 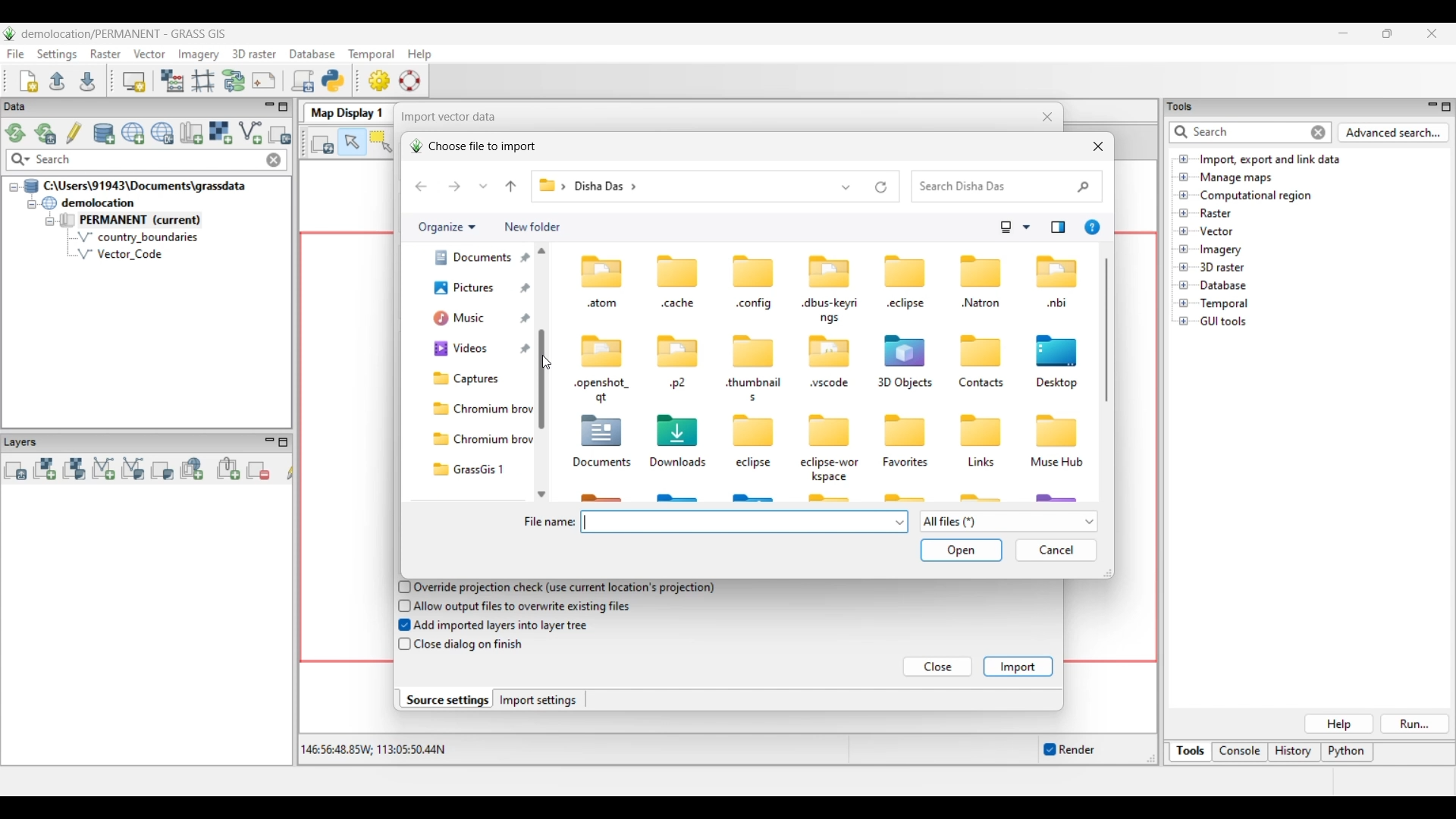 I want to click on Click to open Computational region, so click(x=1184, y=195).